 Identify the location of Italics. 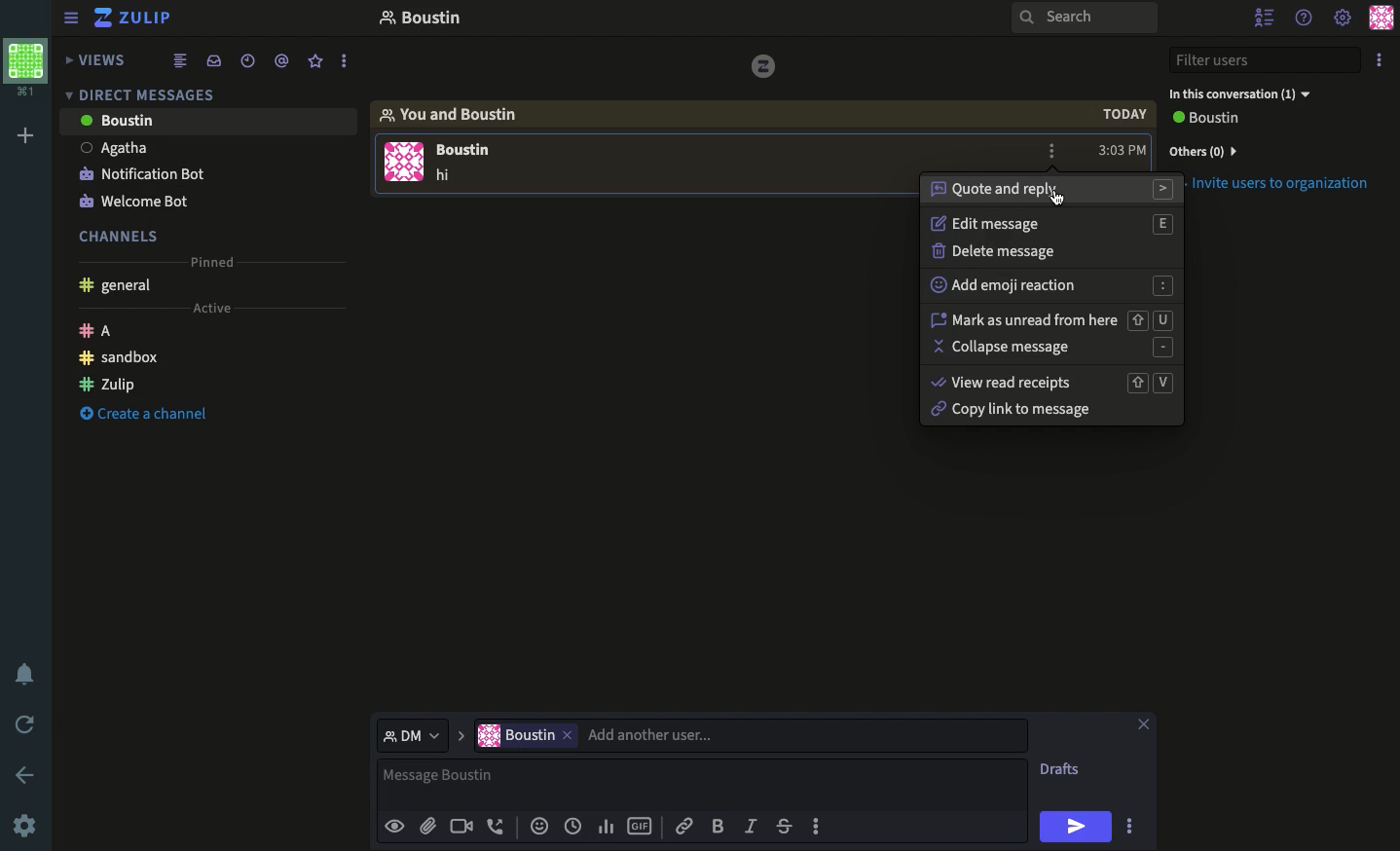
(752, 828).